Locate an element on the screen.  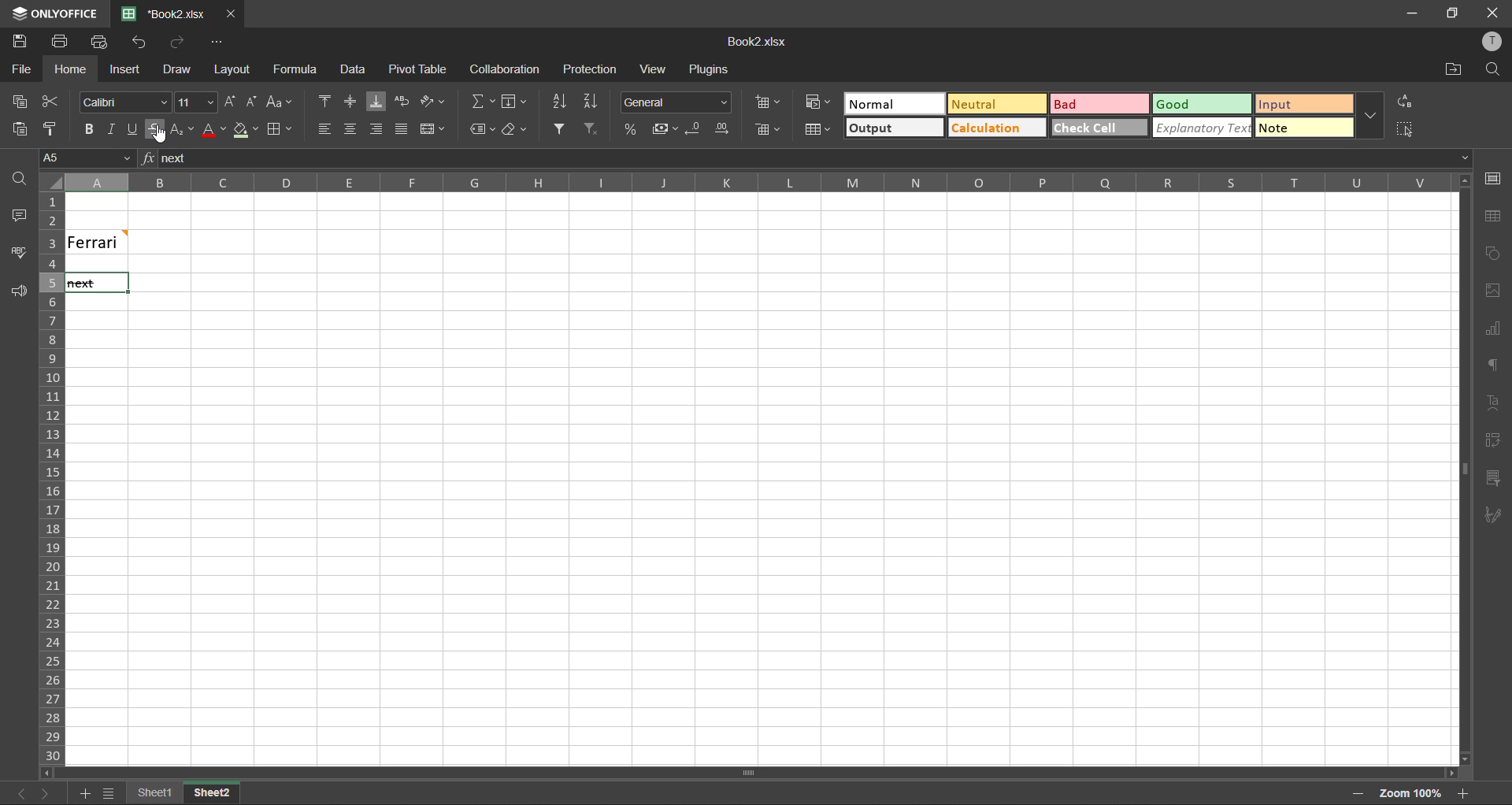
zoom out is located at coordinates (1355, 795).